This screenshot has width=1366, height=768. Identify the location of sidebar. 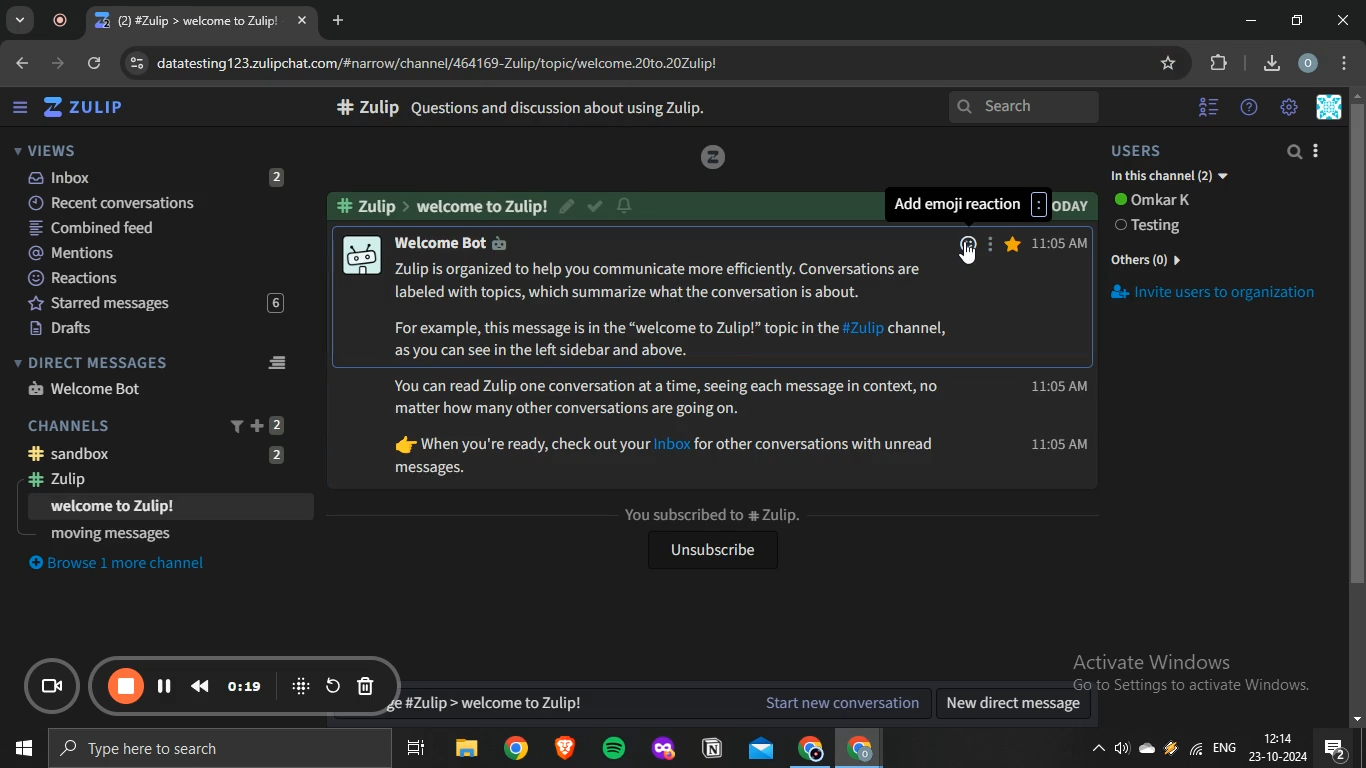
(20, 108).